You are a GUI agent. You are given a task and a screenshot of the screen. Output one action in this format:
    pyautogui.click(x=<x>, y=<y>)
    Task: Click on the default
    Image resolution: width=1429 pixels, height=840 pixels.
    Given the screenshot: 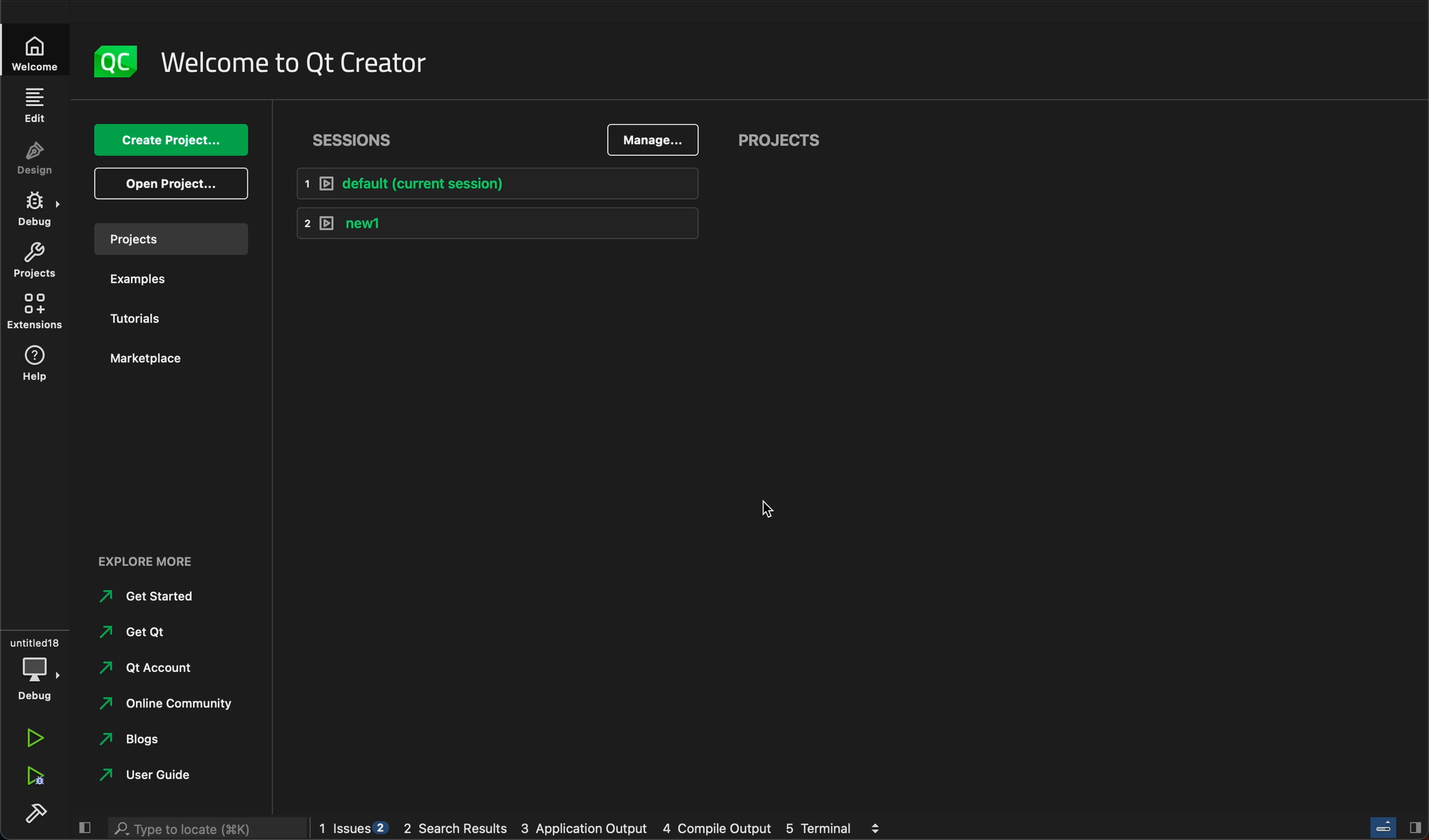 What is the action you would take?
    pyautogui.click(x=494, y=181)
    